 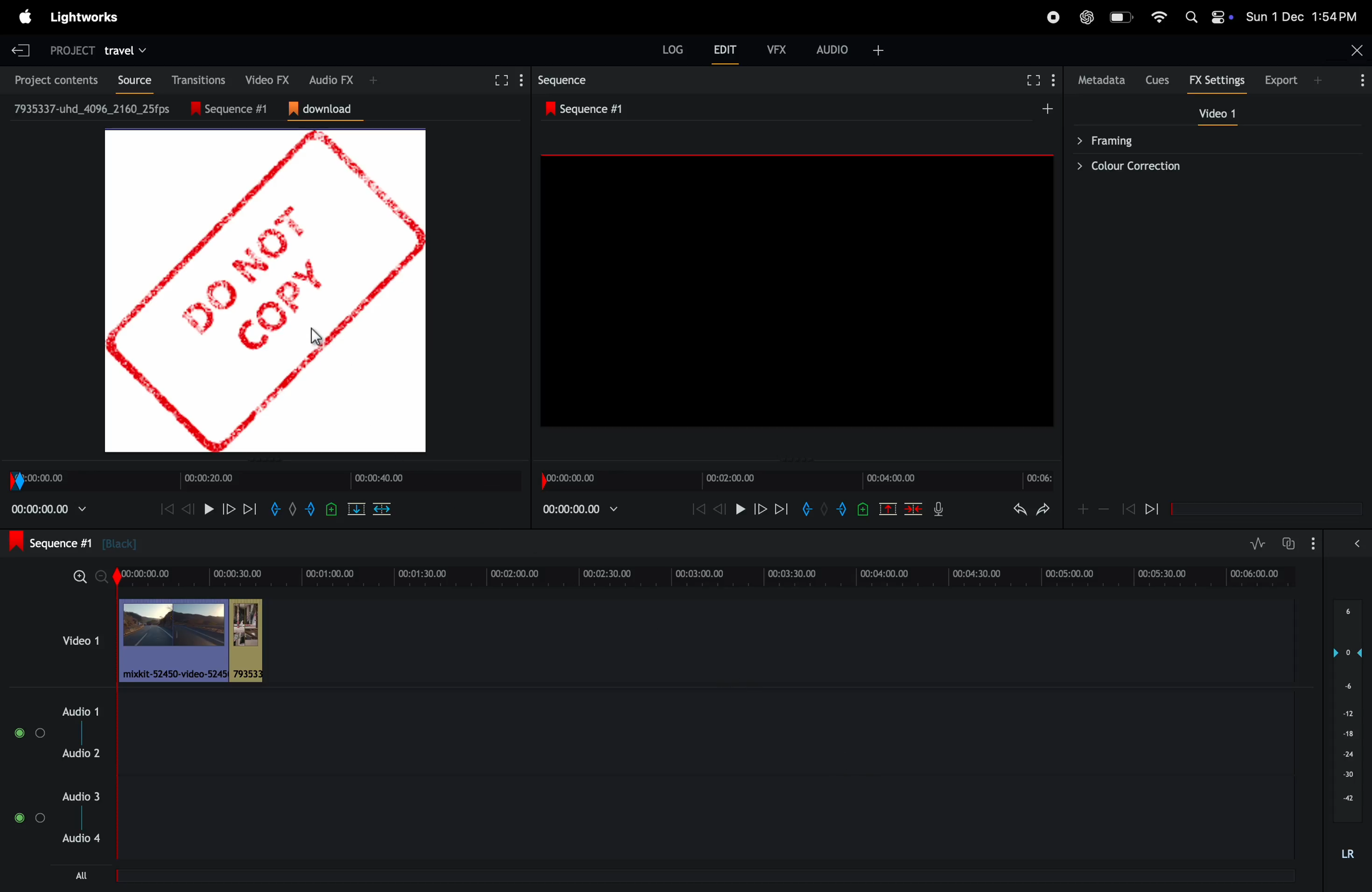 What do you see at coordinates (125, 52) in the screenshot?
I see `travel` at bounding box center [125, 52].